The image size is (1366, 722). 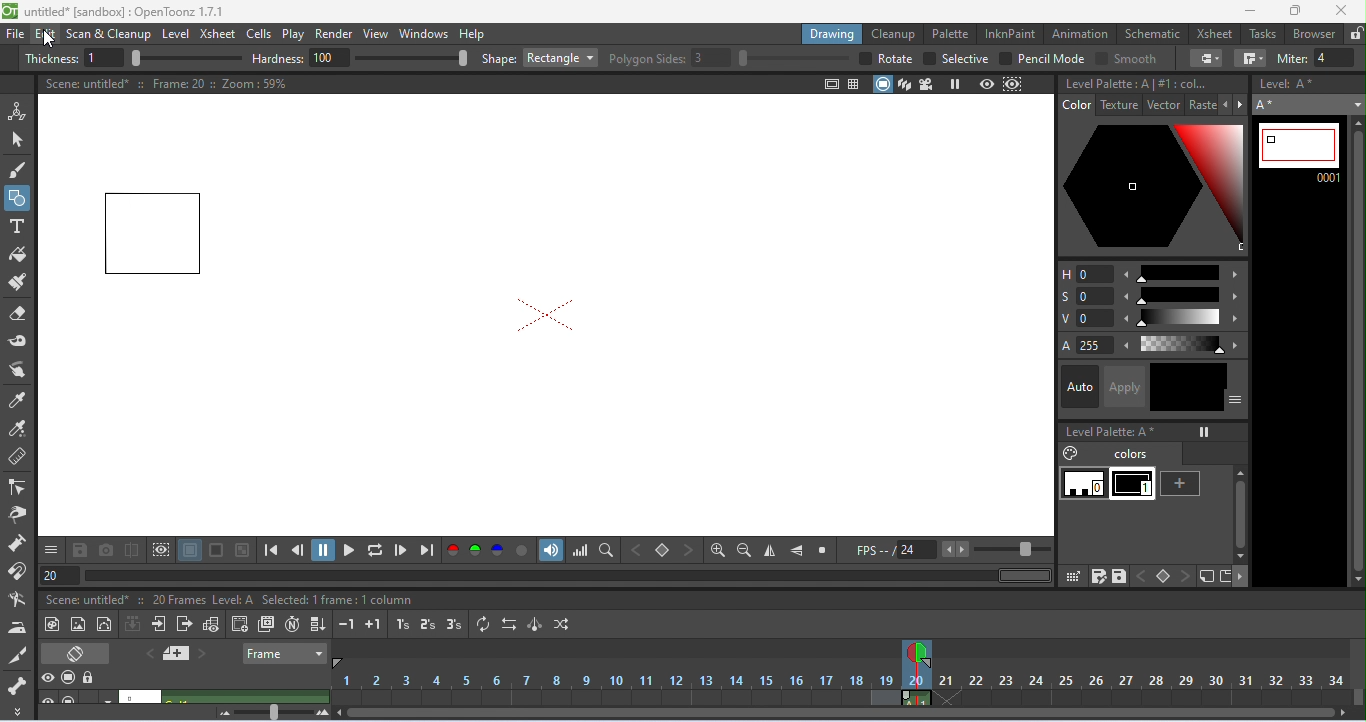 What do you see at coordinates (1297, 83) in the screenshot?
I see `level: A` at bounding box center [1297, 83].